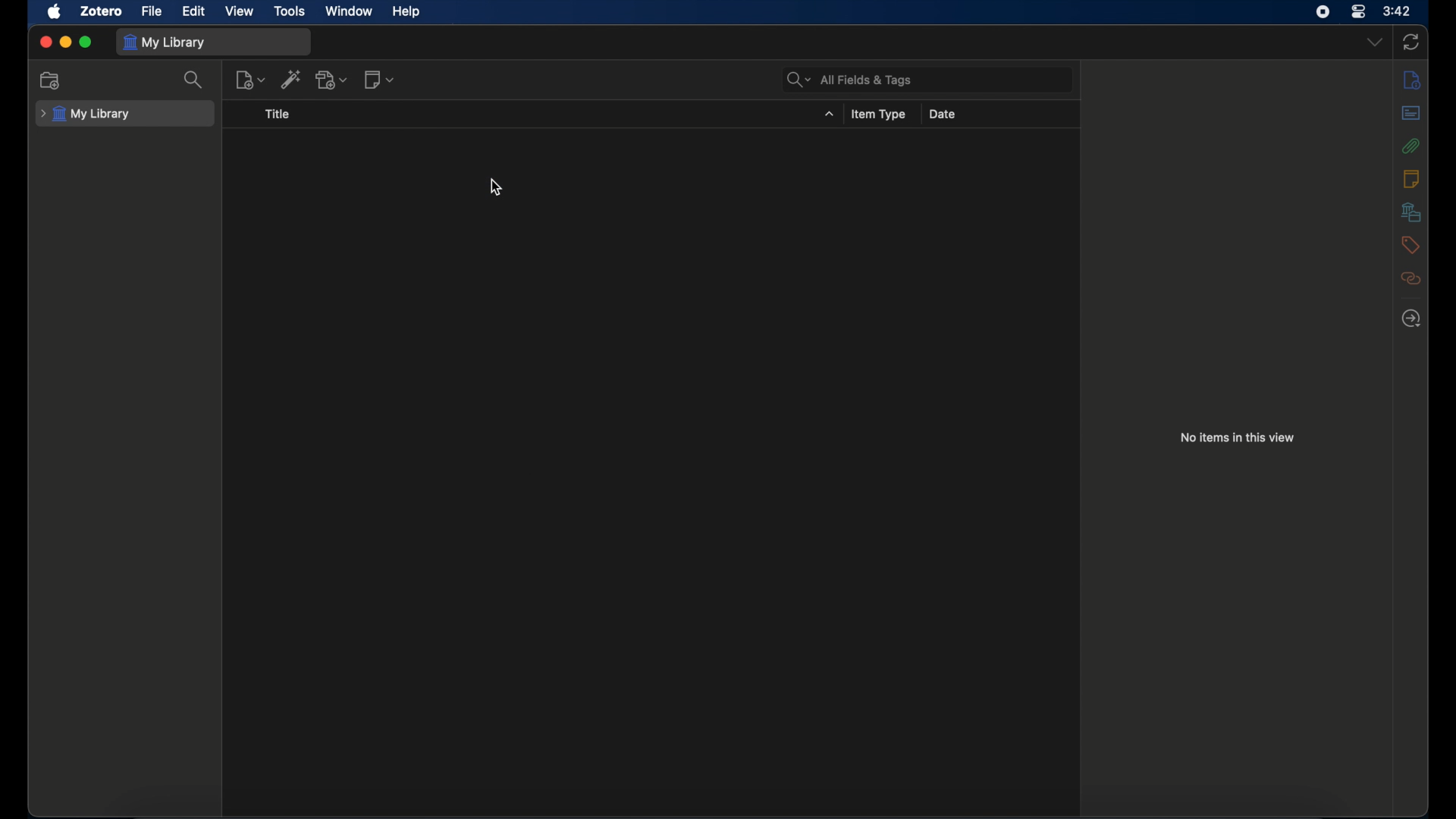 The image size is (1456, 819). Describe the element at coordinates (1411, 212) in the screenshot. I see `libraries` at that location.